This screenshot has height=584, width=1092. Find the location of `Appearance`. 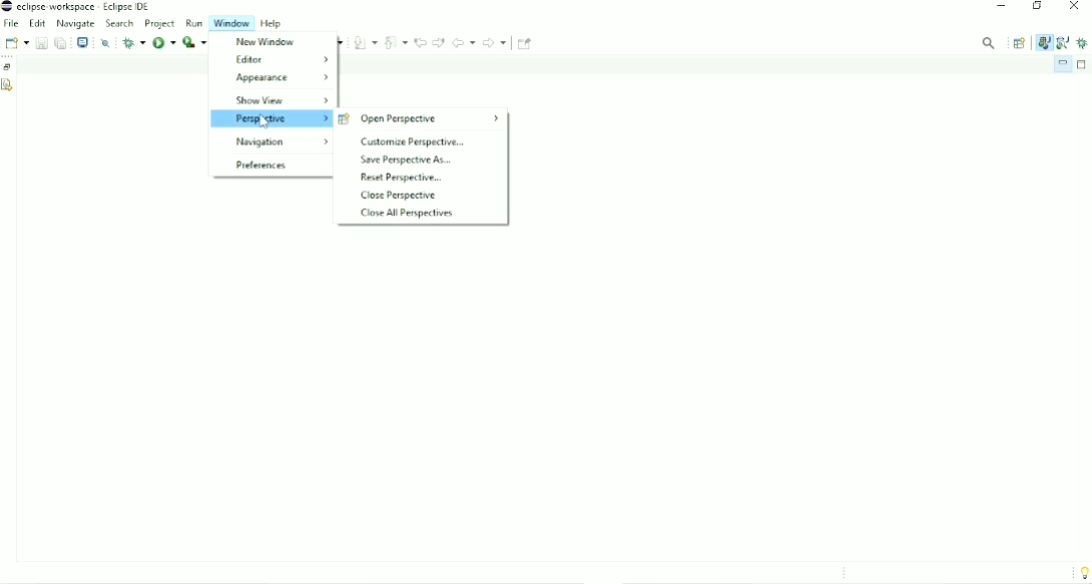

Appearance is located at coordinates (281, 78).